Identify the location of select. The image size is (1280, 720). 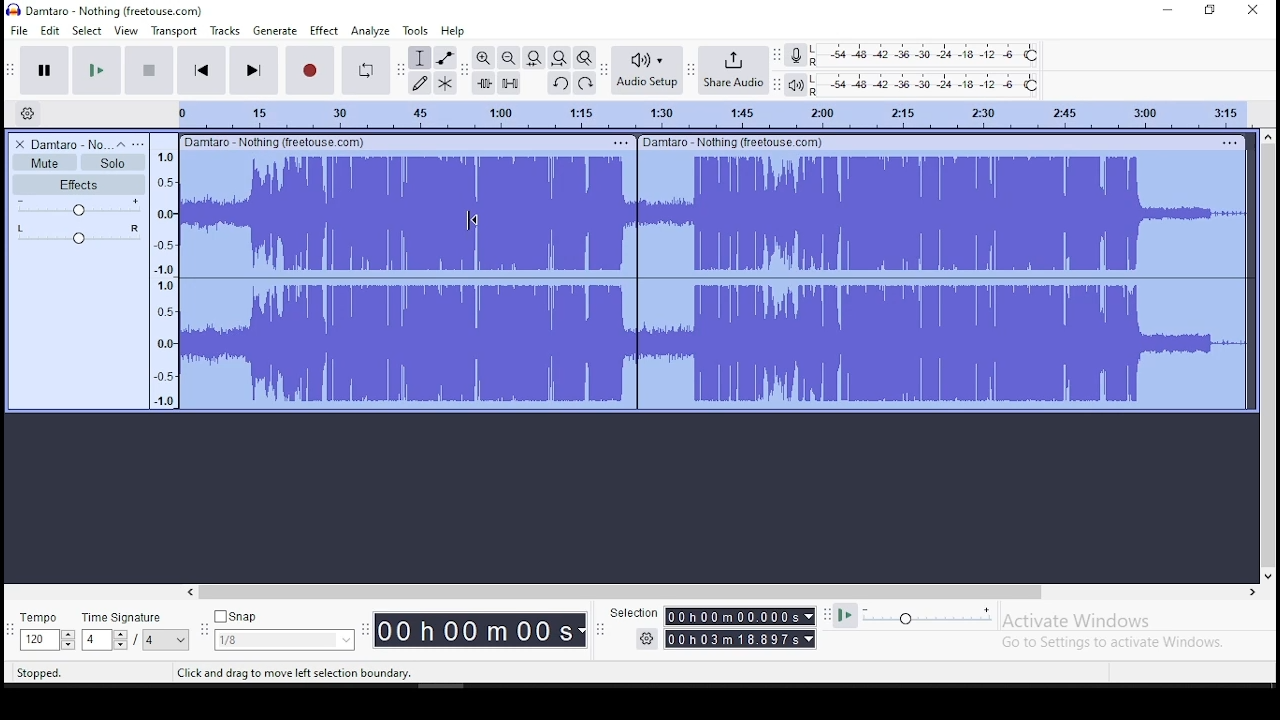
(86, 31).